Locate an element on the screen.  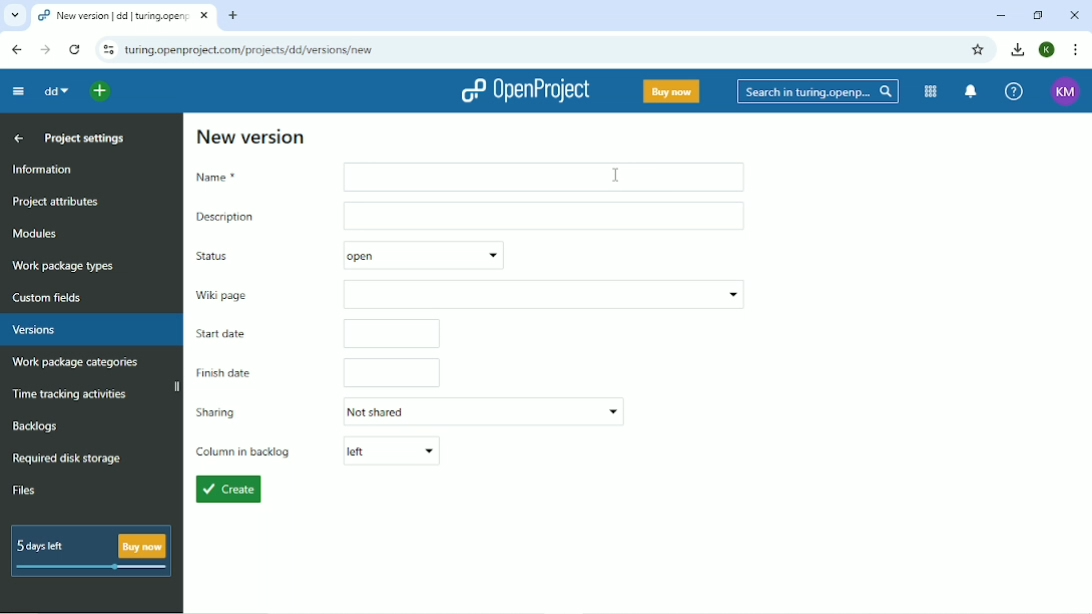
New version is located at coordinates (253, 136).